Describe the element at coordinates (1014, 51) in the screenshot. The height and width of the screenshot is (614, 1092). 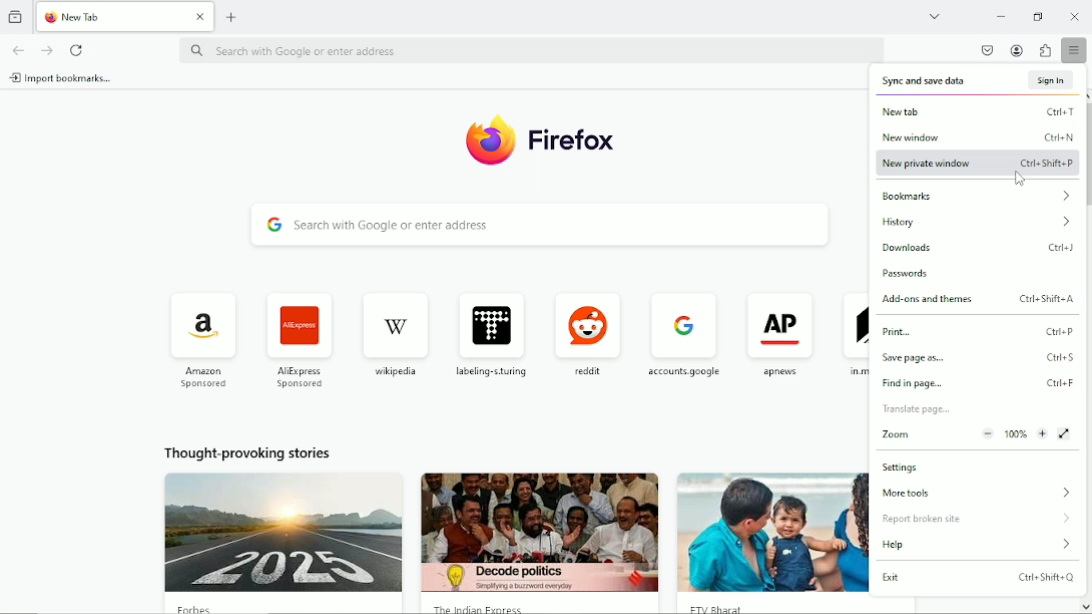
I see `account` at that location.